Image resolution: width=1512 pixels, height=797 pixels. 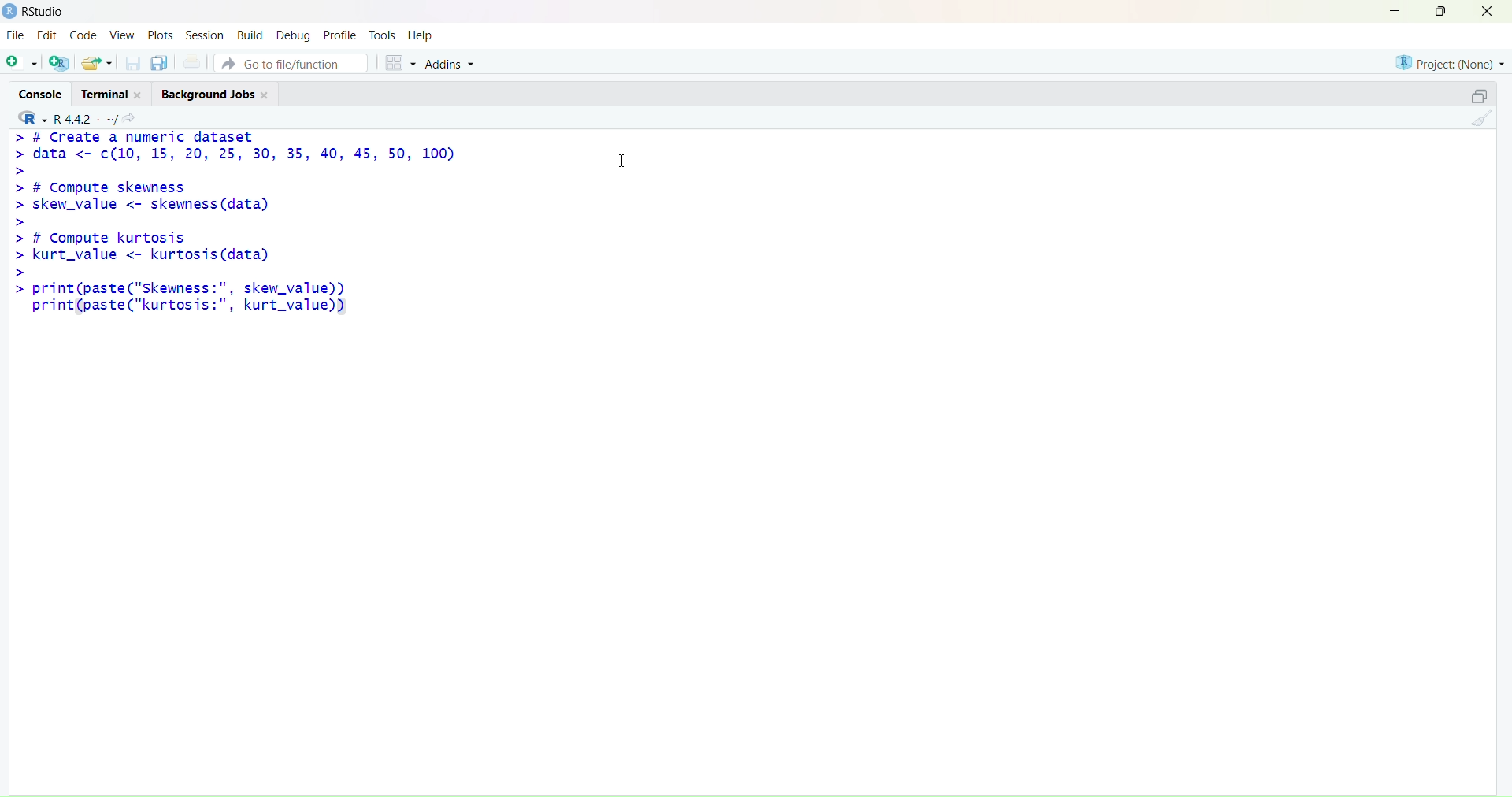 I want to click on Debug, so click(x=294, y=34).